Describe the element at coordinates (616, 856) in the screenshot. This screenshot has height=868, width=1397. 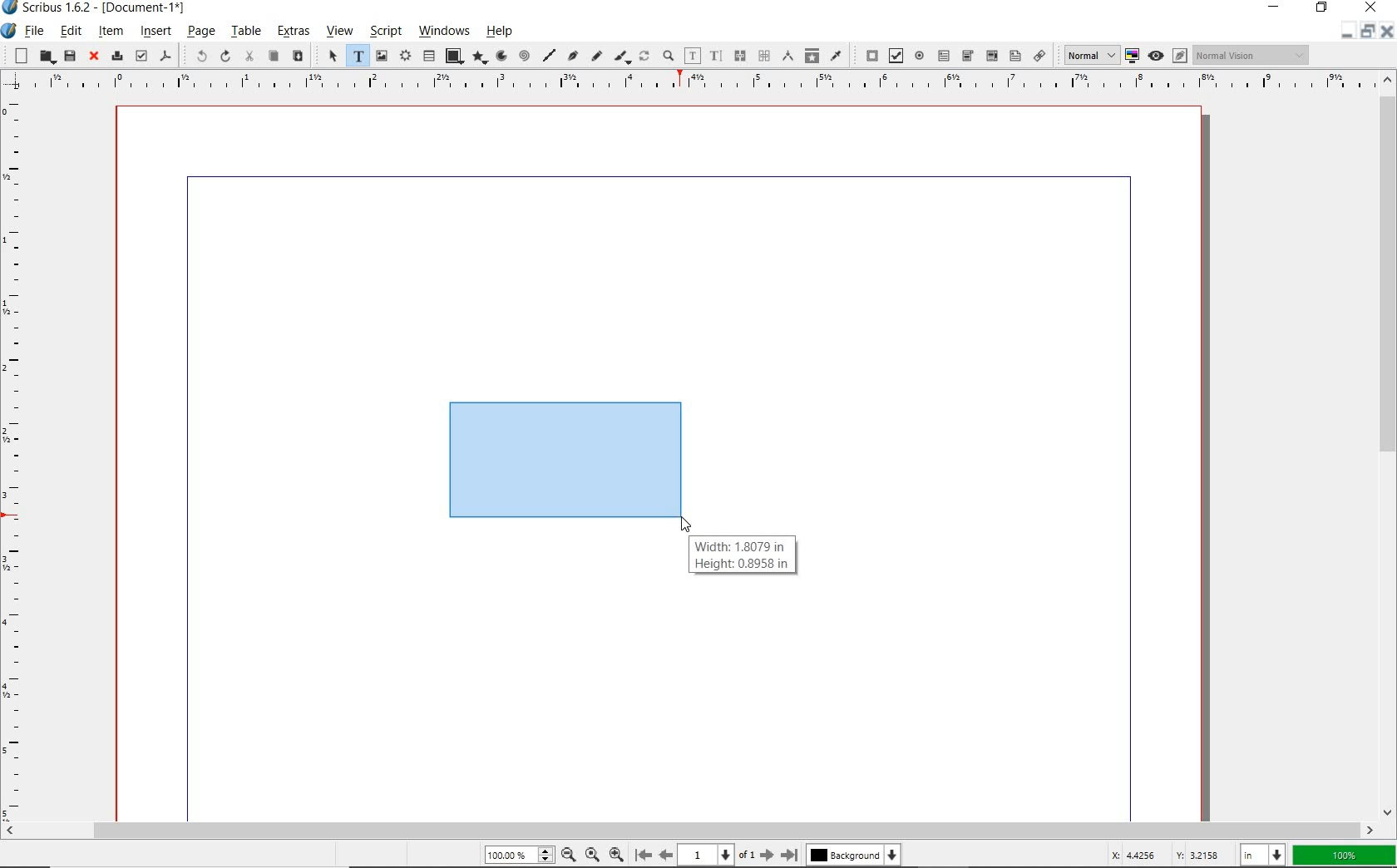
I see `Zoom In` at that location.